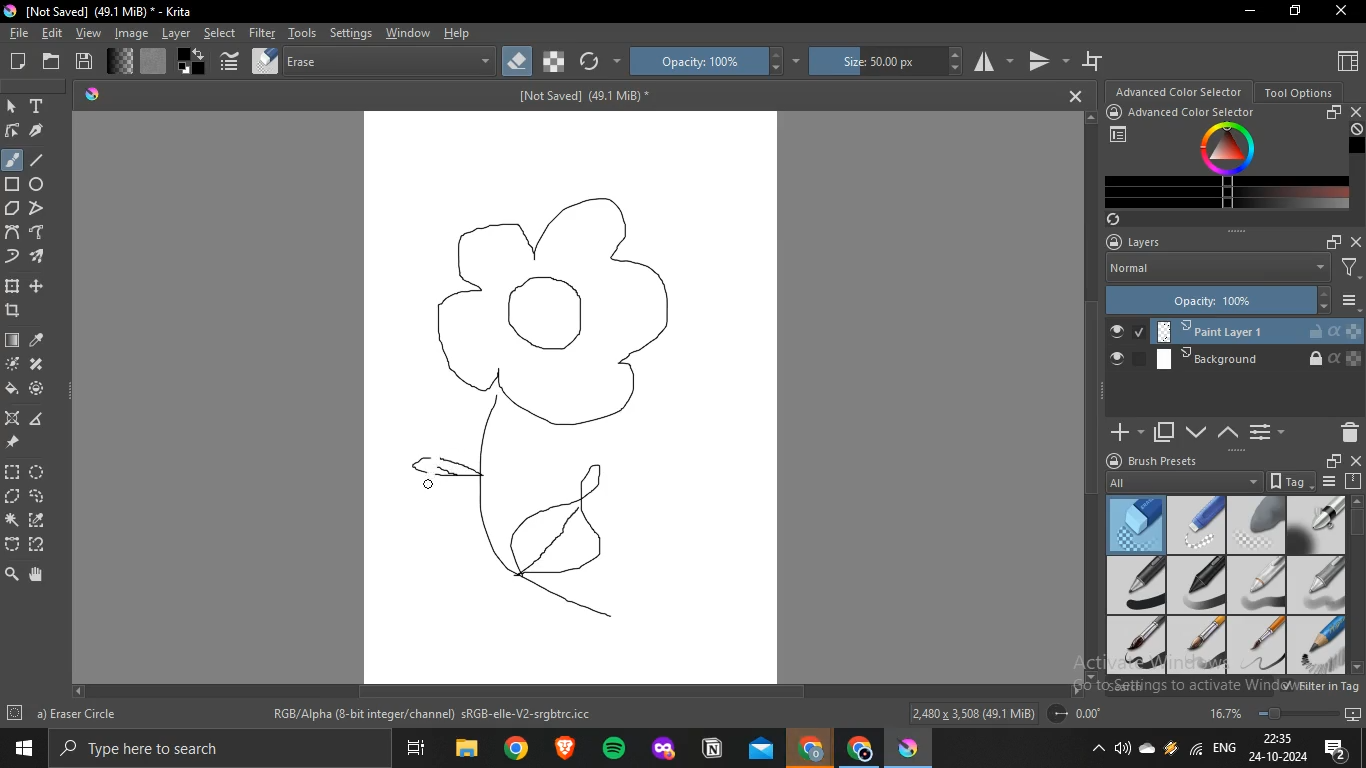 The width and height of the screenshot is (1366, 768). Describe the element at coordinates (578, 694) in the screenshot. I see `Scrollbar` at that location.